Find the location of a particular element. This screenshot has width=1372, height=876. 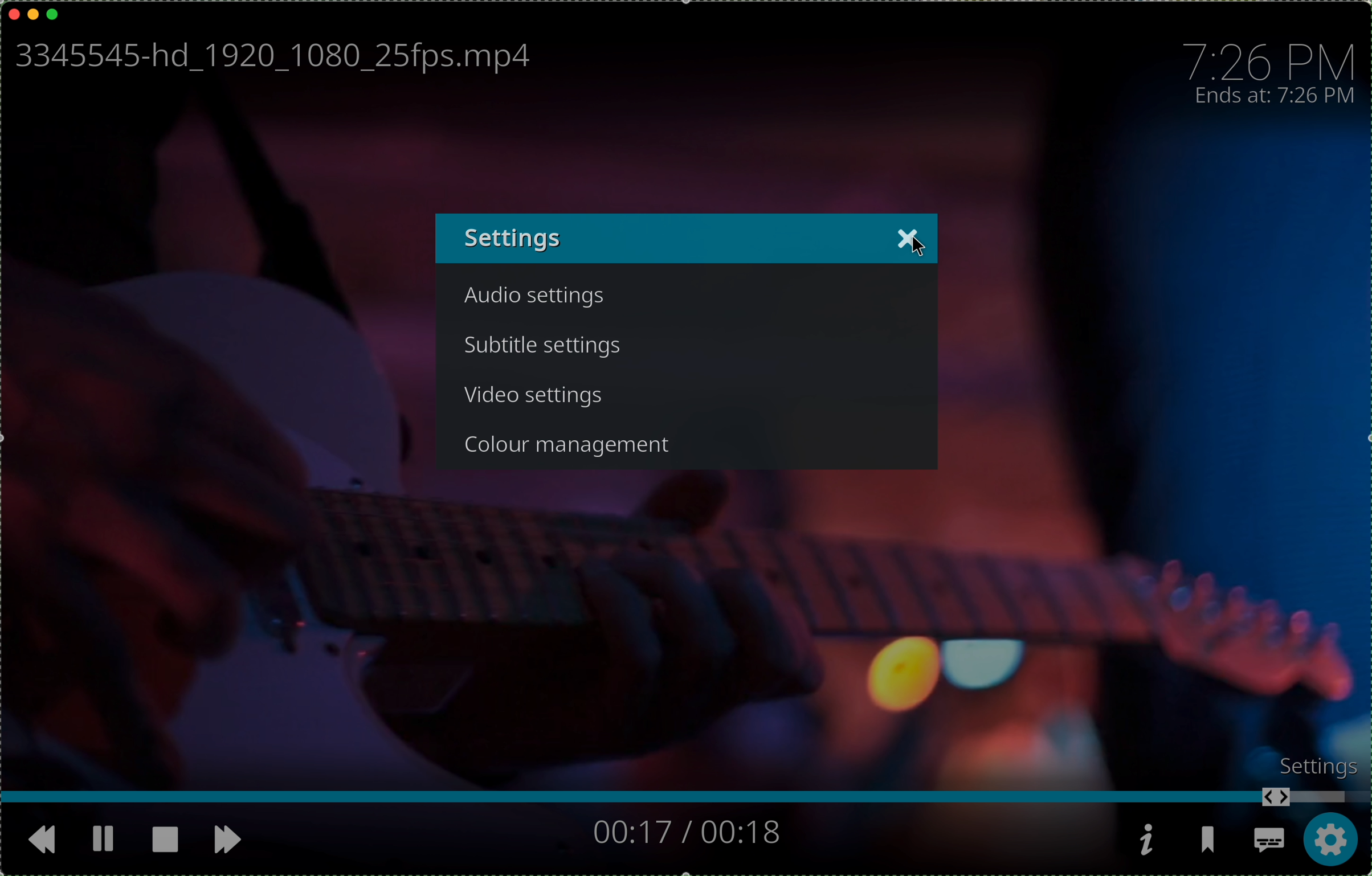

stop is located at coordinates (165, 838).